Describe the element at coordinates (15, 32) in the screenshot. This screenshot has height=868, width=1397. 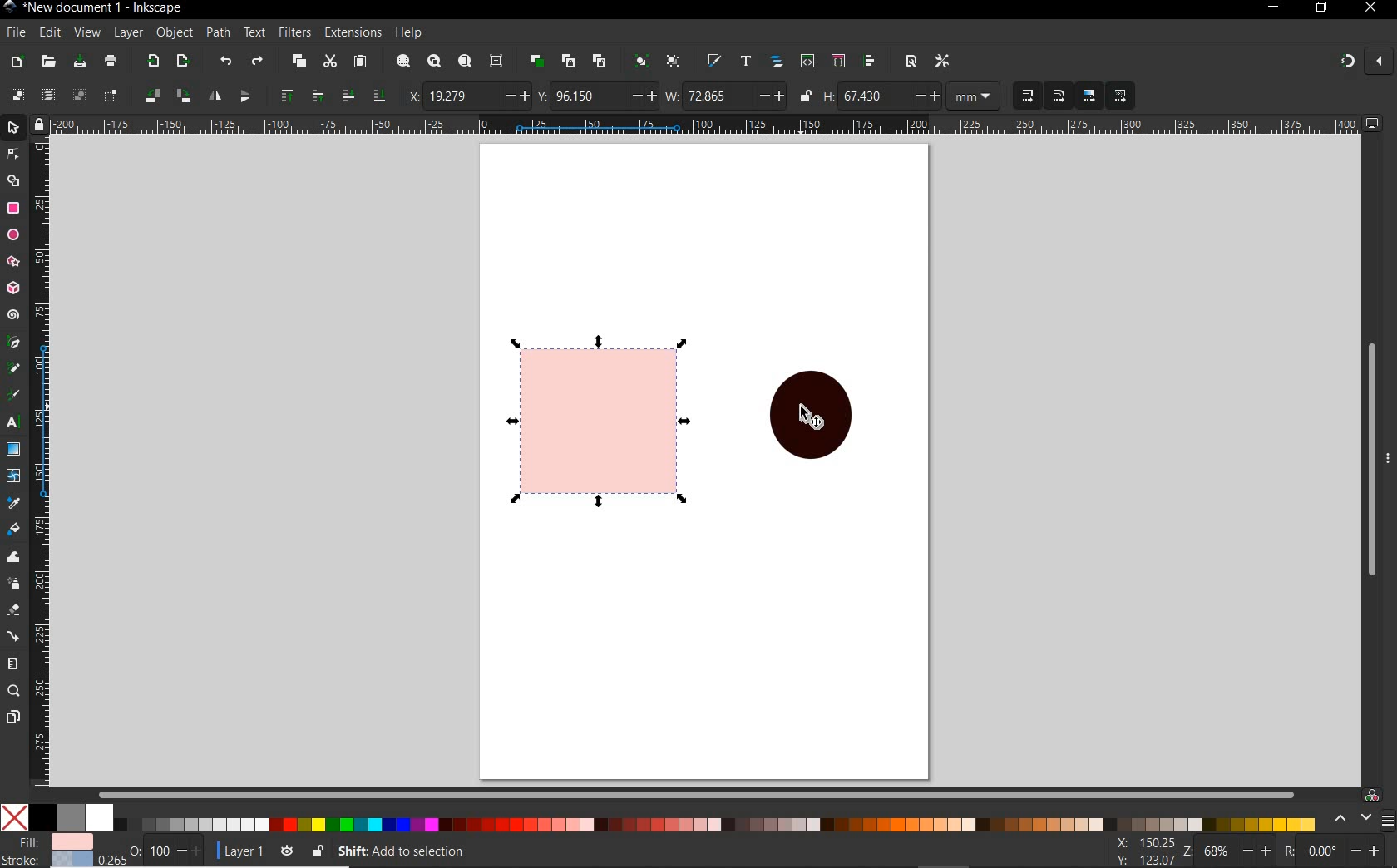
I see `file` at that location.